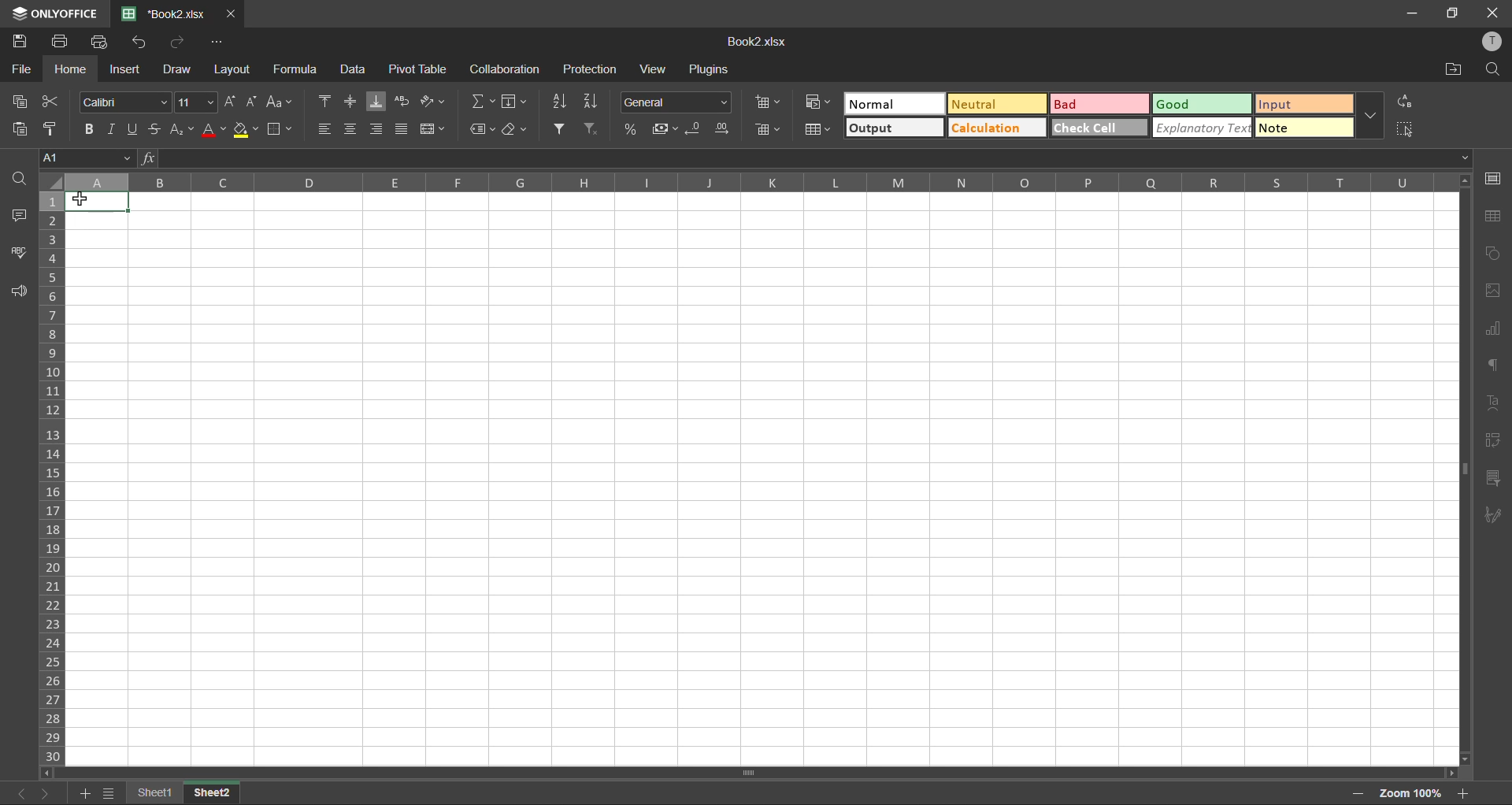 The width and height of the screenshot is (1512, 805). Describe the element at coordinates (24, 130) in the screenshot. I see `paste` at that location.